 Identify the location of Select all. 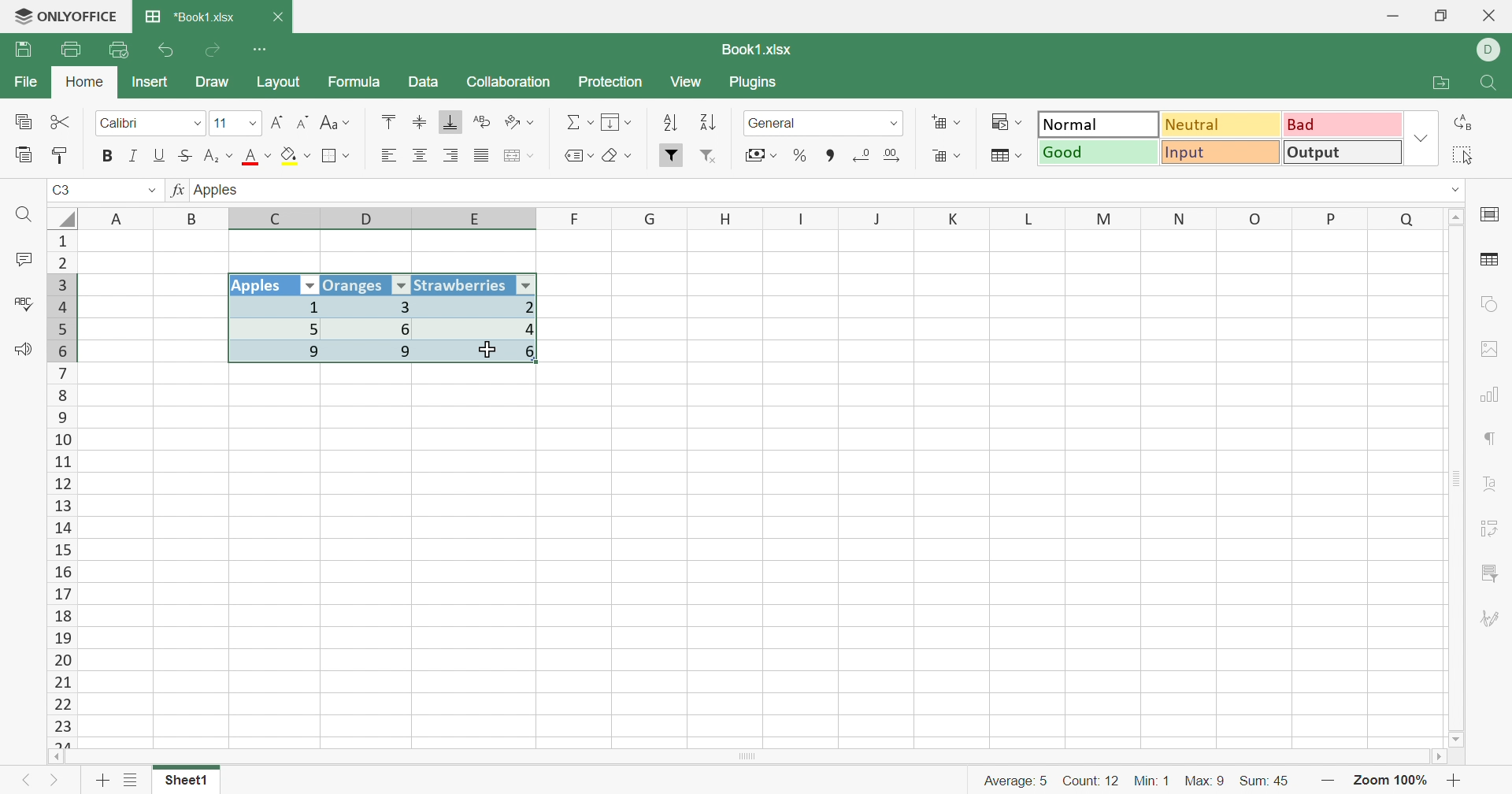
(62, 216).